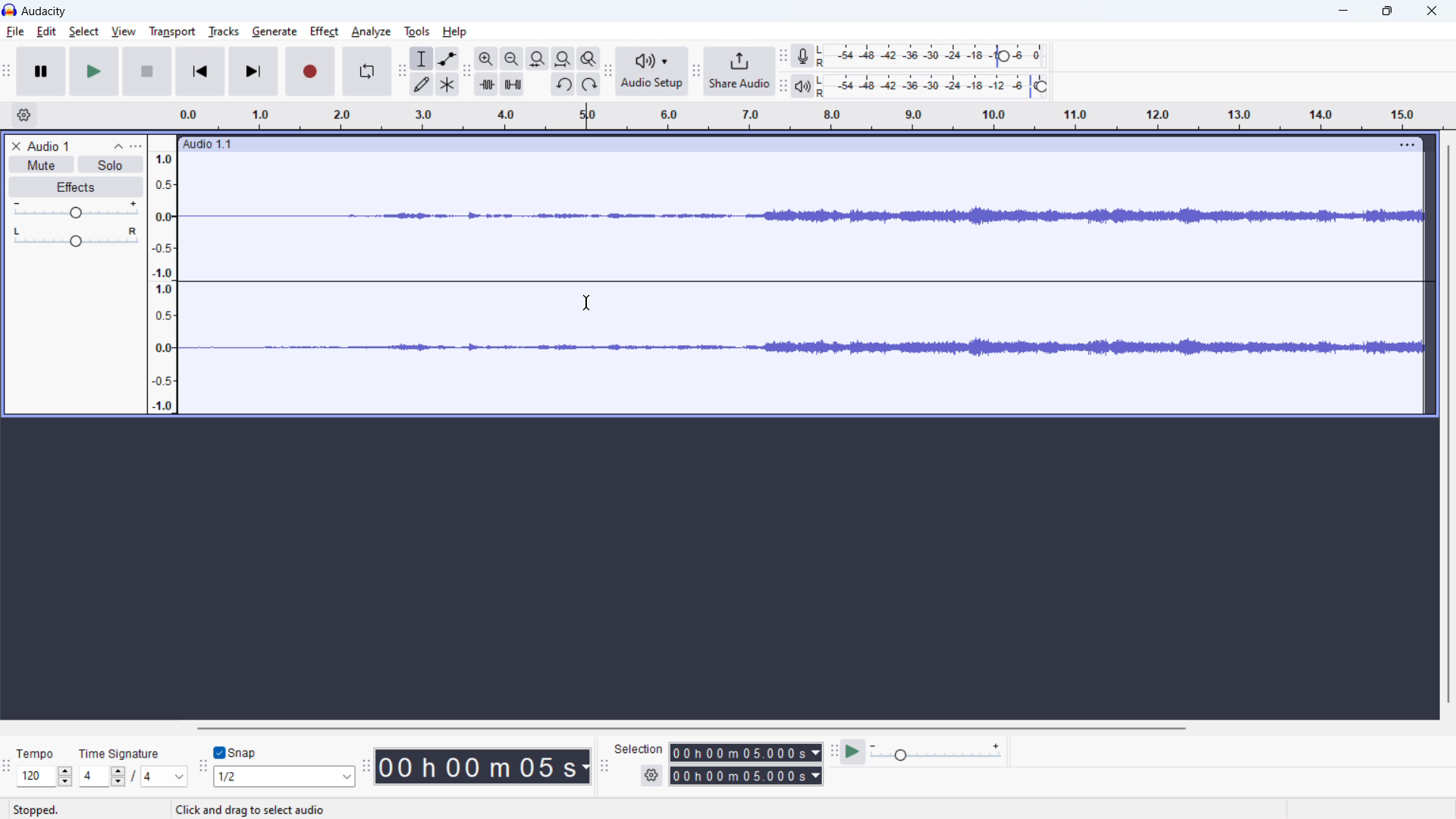 This screenshot has height=819, width=1456. What do you see at coordinates (274, 32) in the screenshot?
I see `geberate` at bounding box center [274, 32].